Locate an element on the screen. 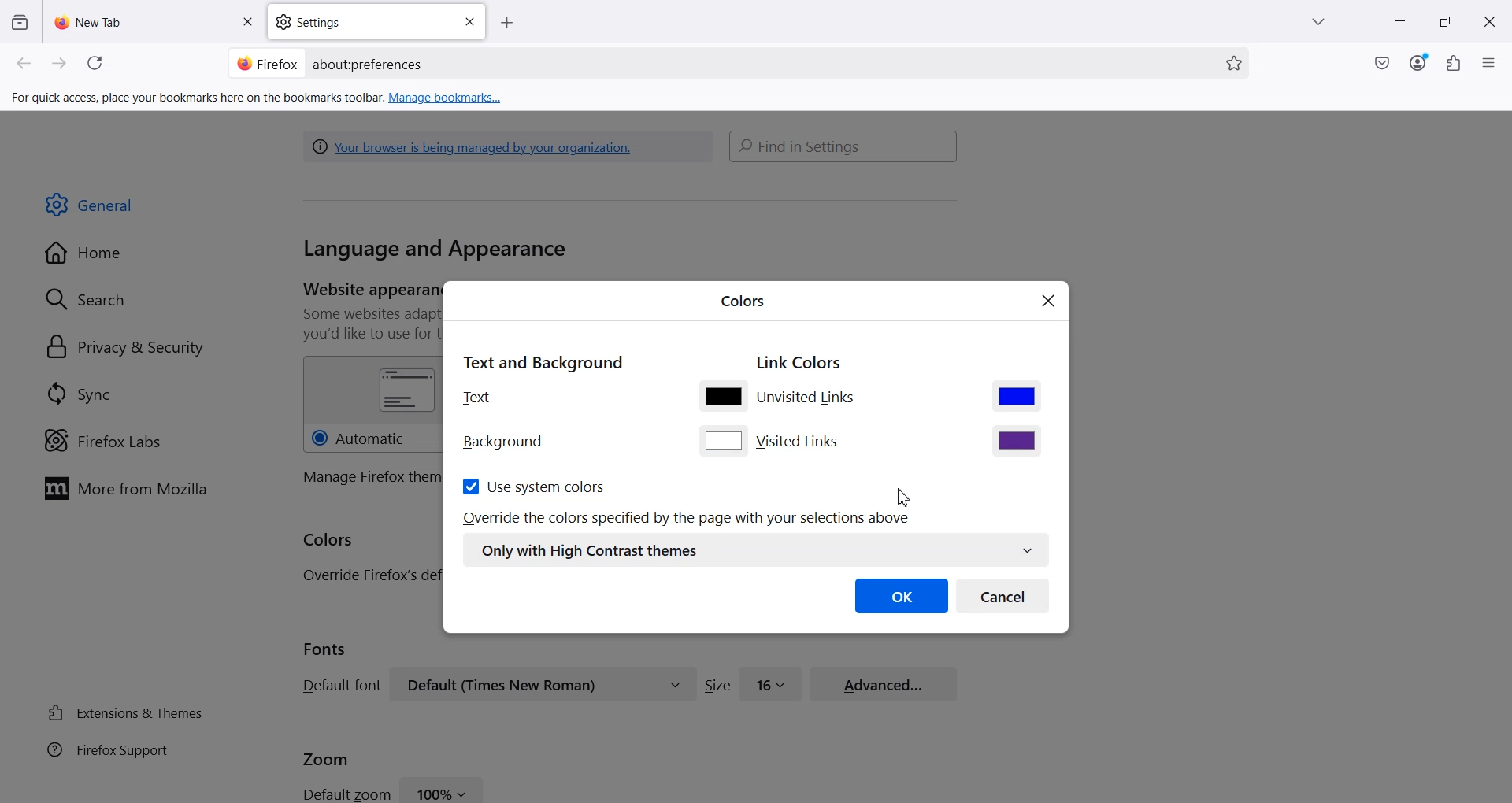 Image resolution: width=1512 pixels, height=803 pixels. Link Colors is located at coordinates (799, 364).